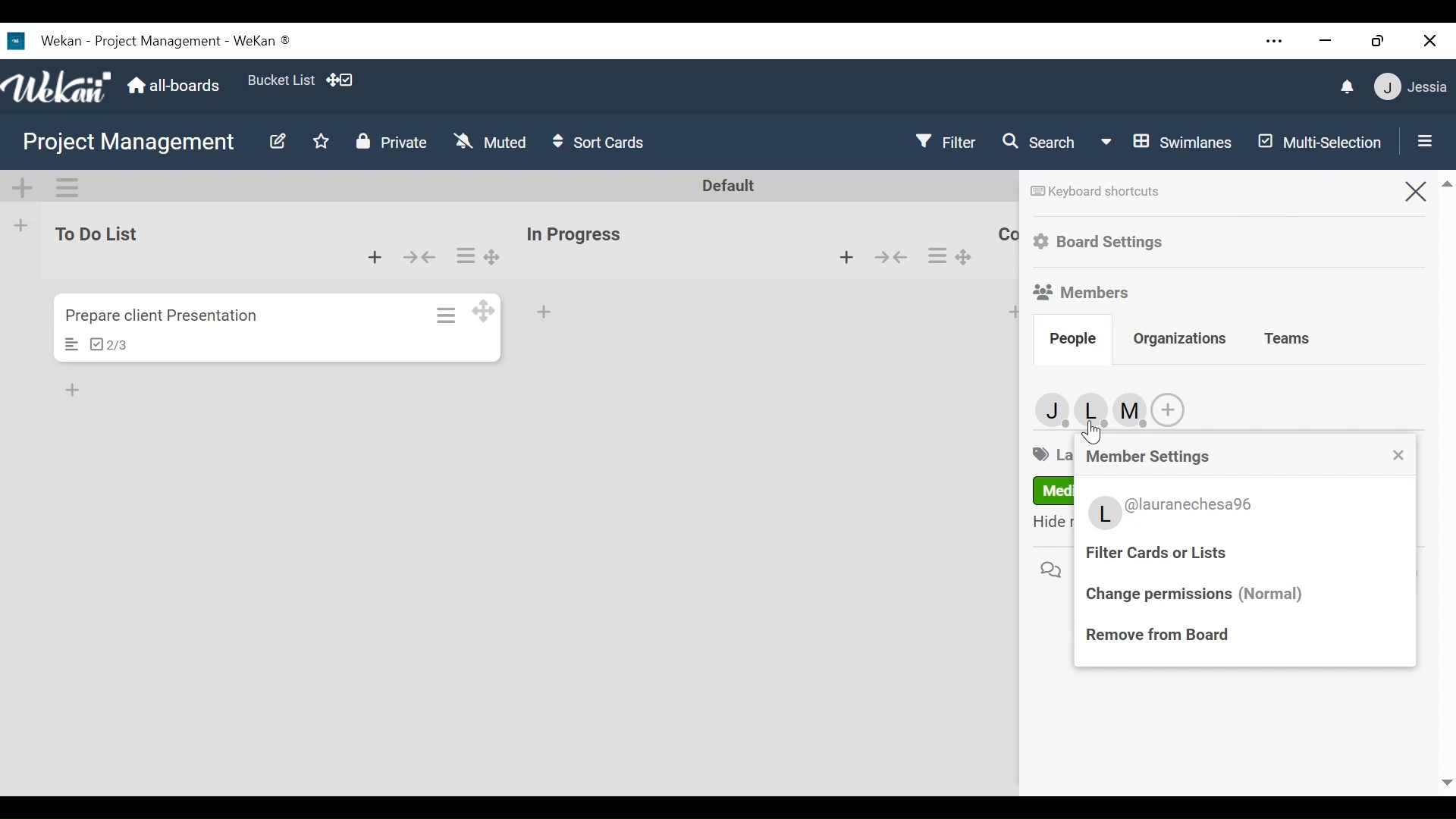 Image resolution: width=1456 pixels, height=819 pixels. What do you see at coordinates (484, 309) in the screenshot?
I see `Desktop drag handles` at bounding box center [484, 309].